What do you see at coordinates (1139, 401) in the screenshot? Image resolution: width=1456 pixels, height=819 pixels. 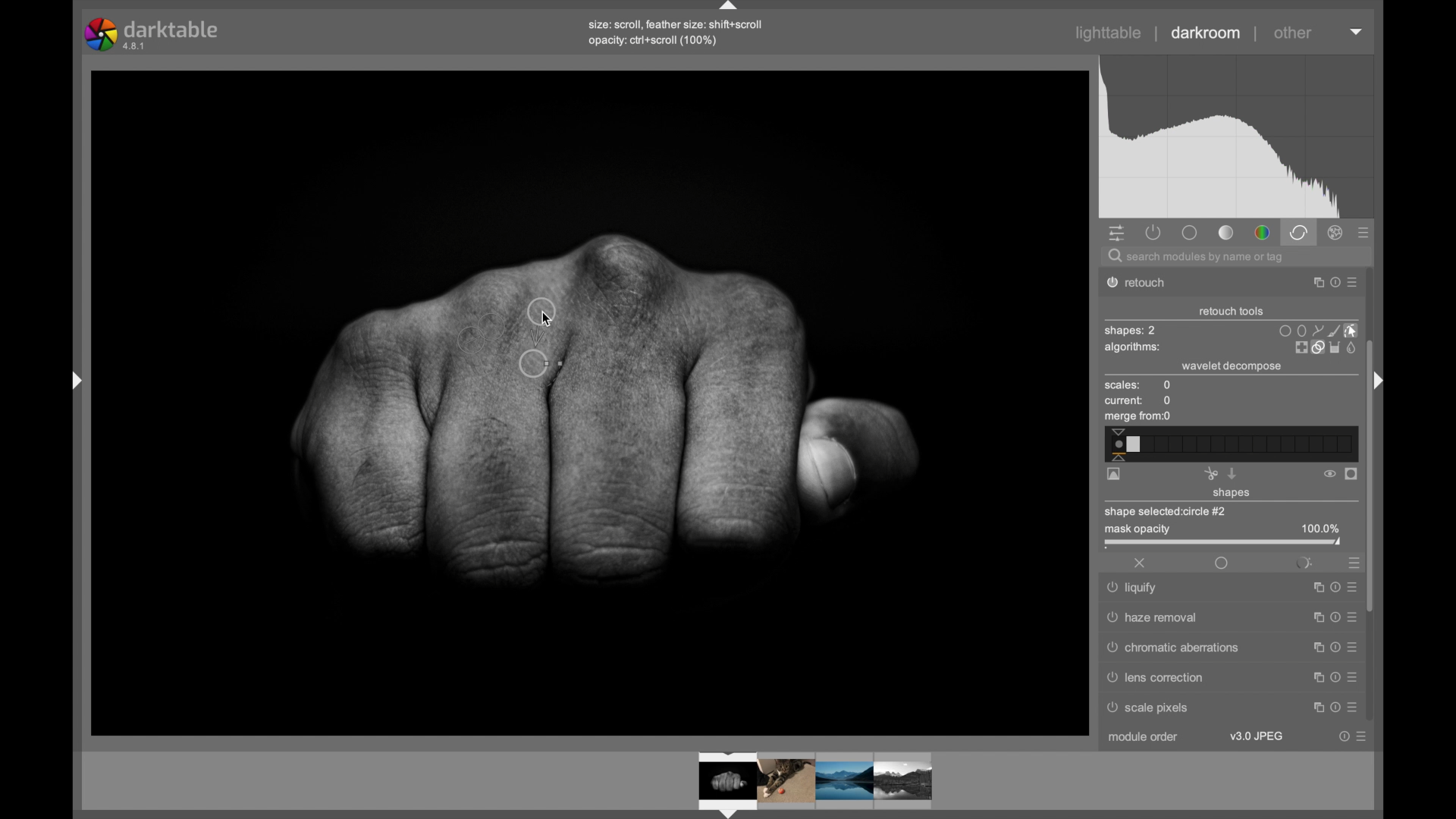 I see `current 0` at bounding box center [1139, 401].